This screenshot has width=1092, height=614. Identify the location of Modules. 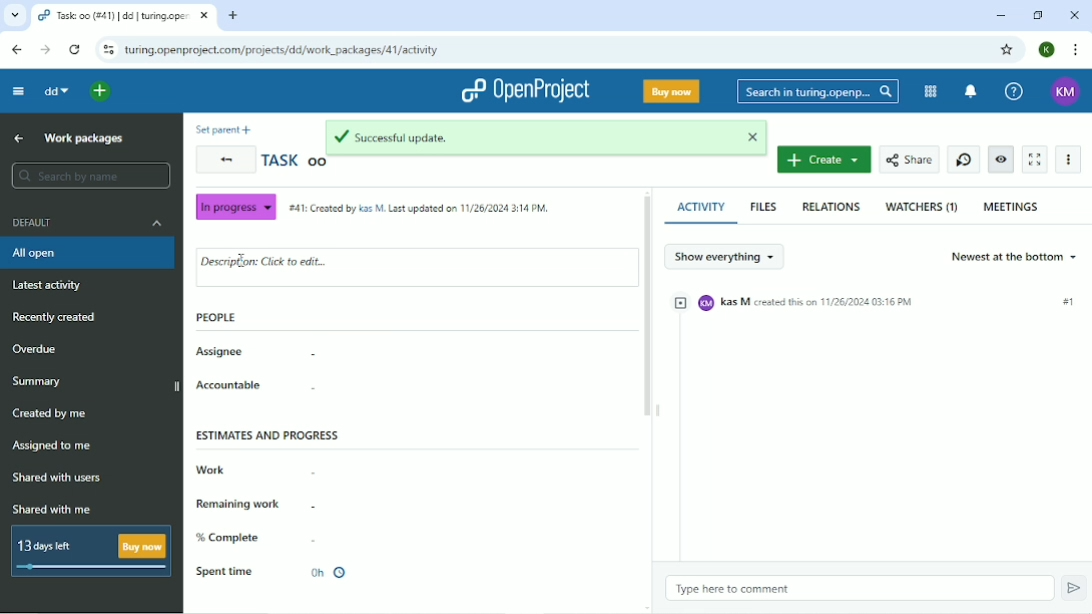
(931, 91).